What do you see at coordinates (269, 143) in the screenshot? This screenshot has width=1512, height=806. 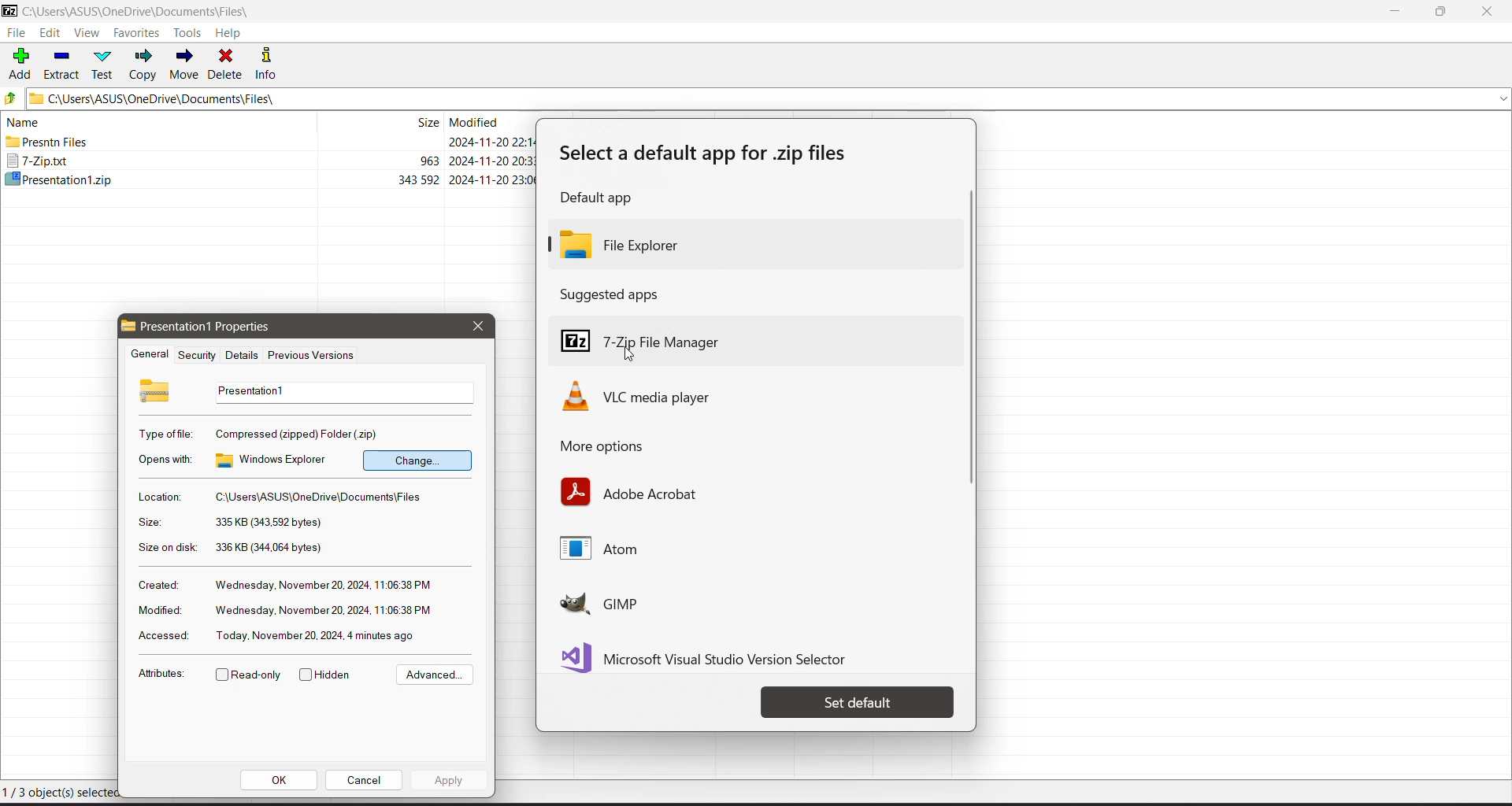 I see `Present files` at bounding box center [269, 143].